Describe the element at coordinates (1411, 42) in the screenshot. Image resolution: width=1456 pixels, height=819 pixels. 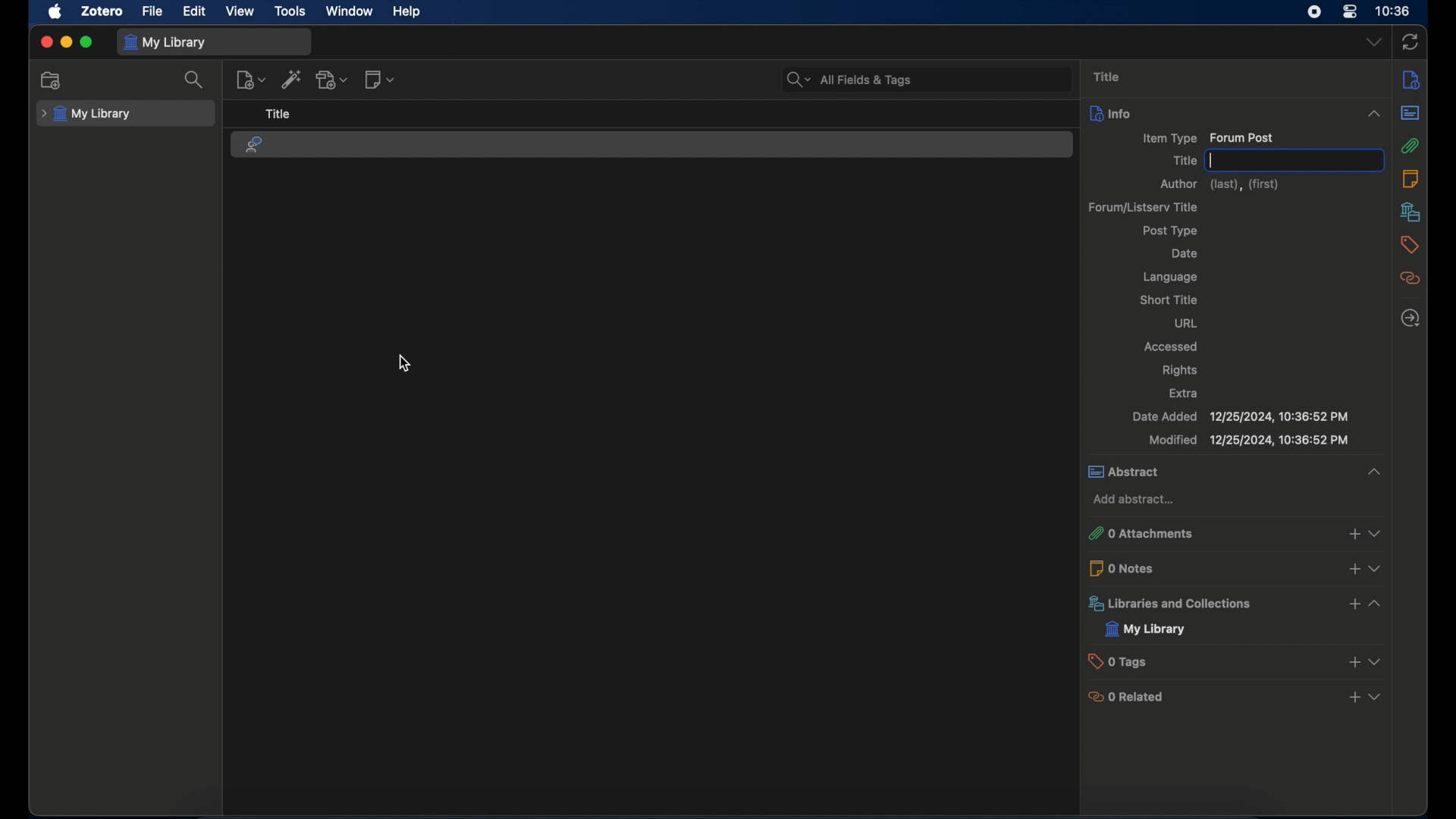
I see `sync` at that location.